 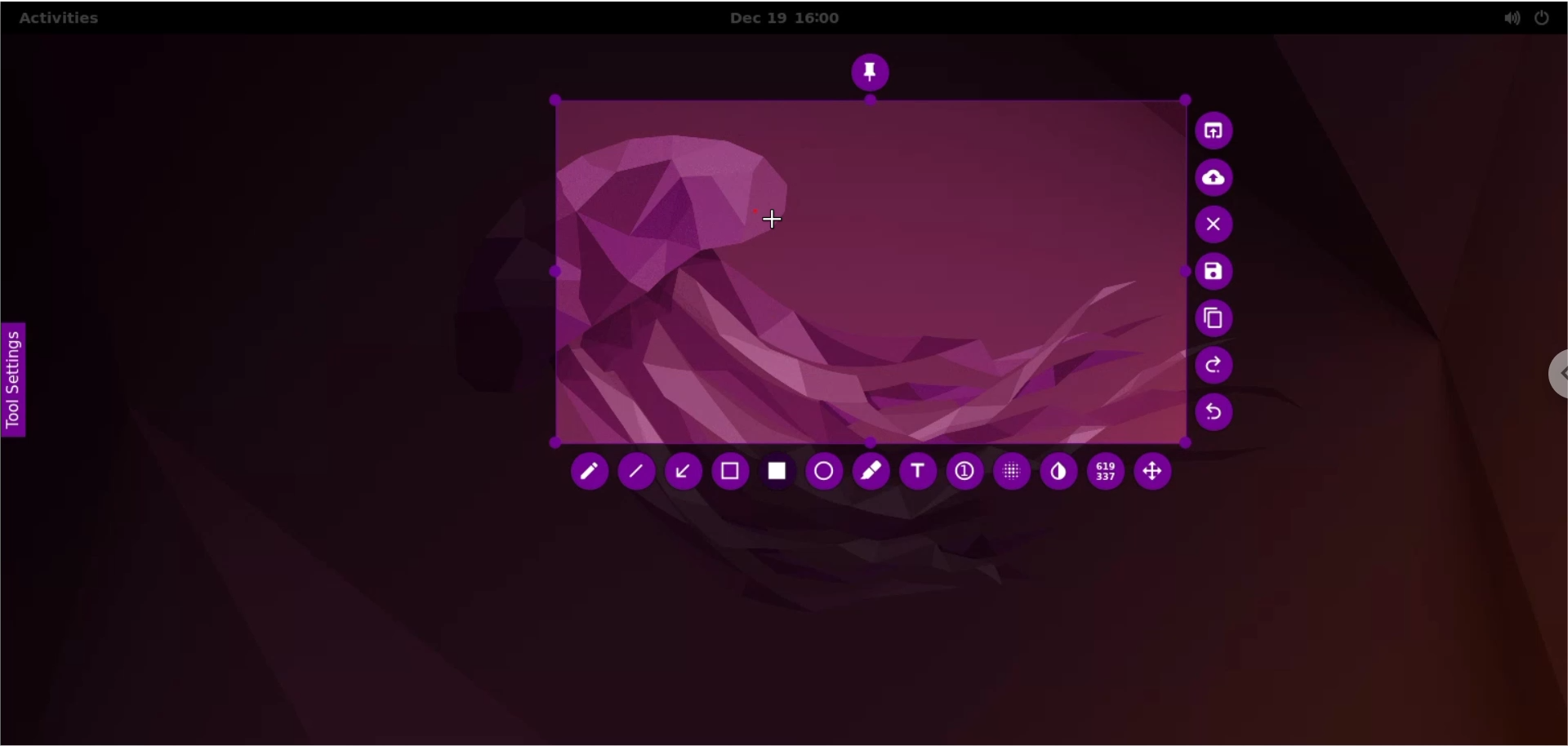 I want to click on auto increment , so click(x=961, y=475).